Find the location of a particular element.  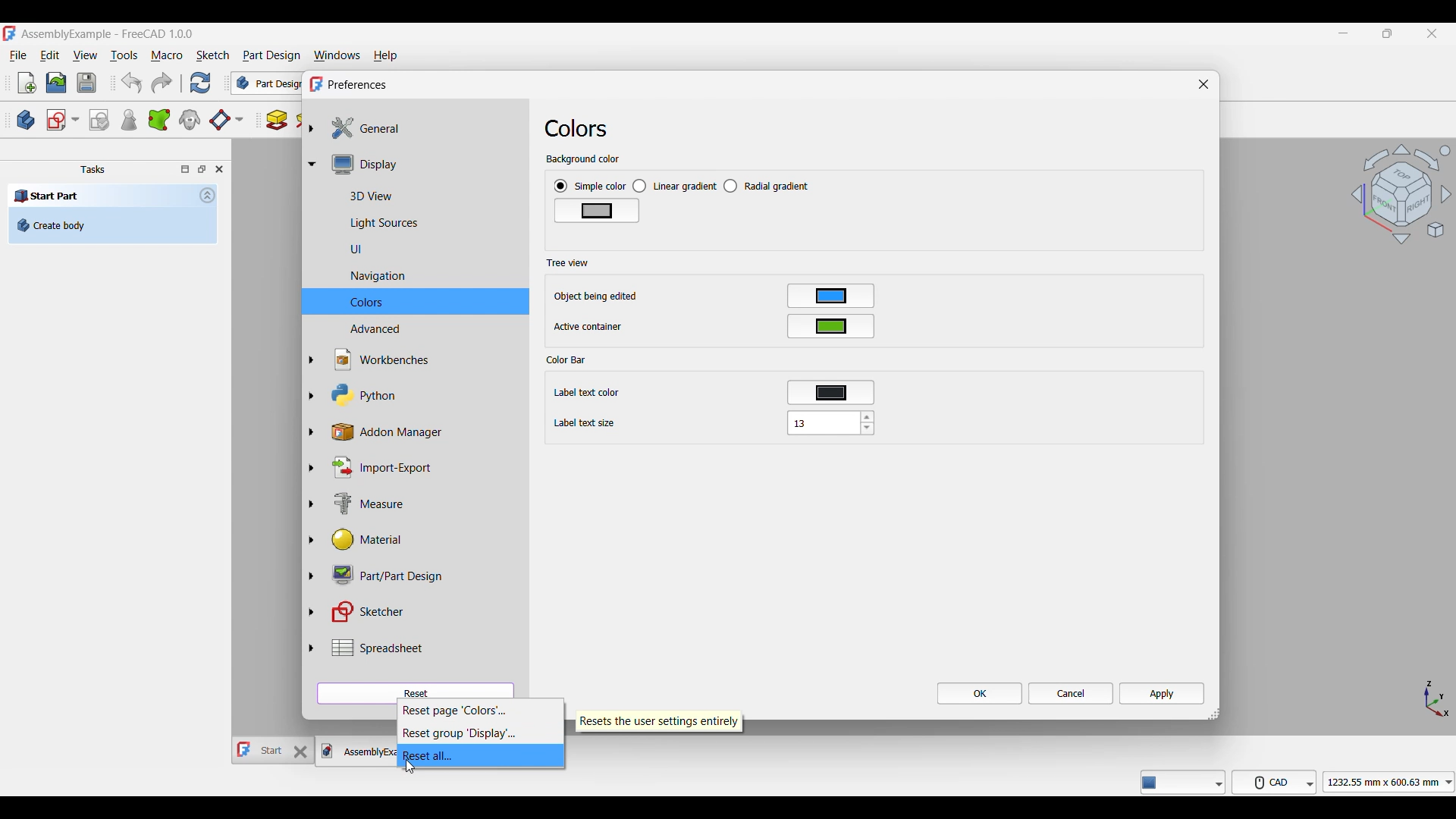

Check geometry is located at coordinates (128, 119).